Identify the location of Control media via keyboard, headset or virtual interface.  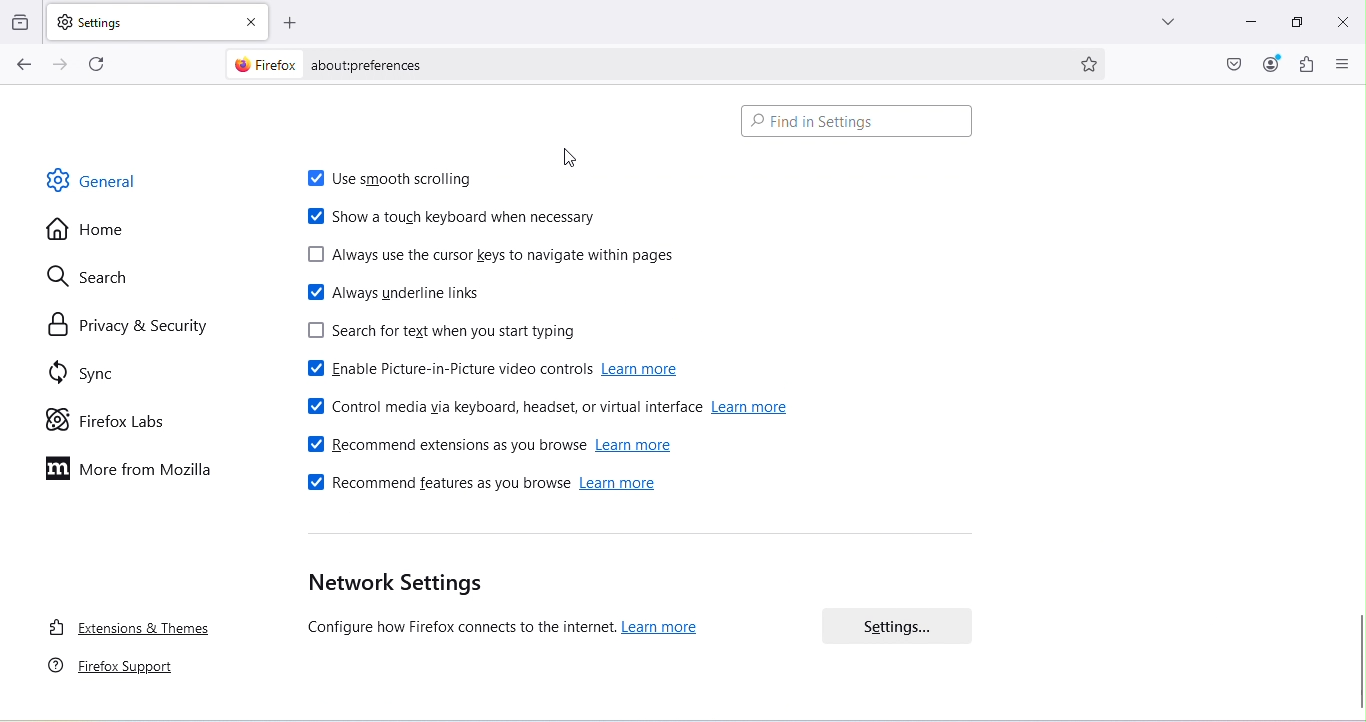
(500, 410).